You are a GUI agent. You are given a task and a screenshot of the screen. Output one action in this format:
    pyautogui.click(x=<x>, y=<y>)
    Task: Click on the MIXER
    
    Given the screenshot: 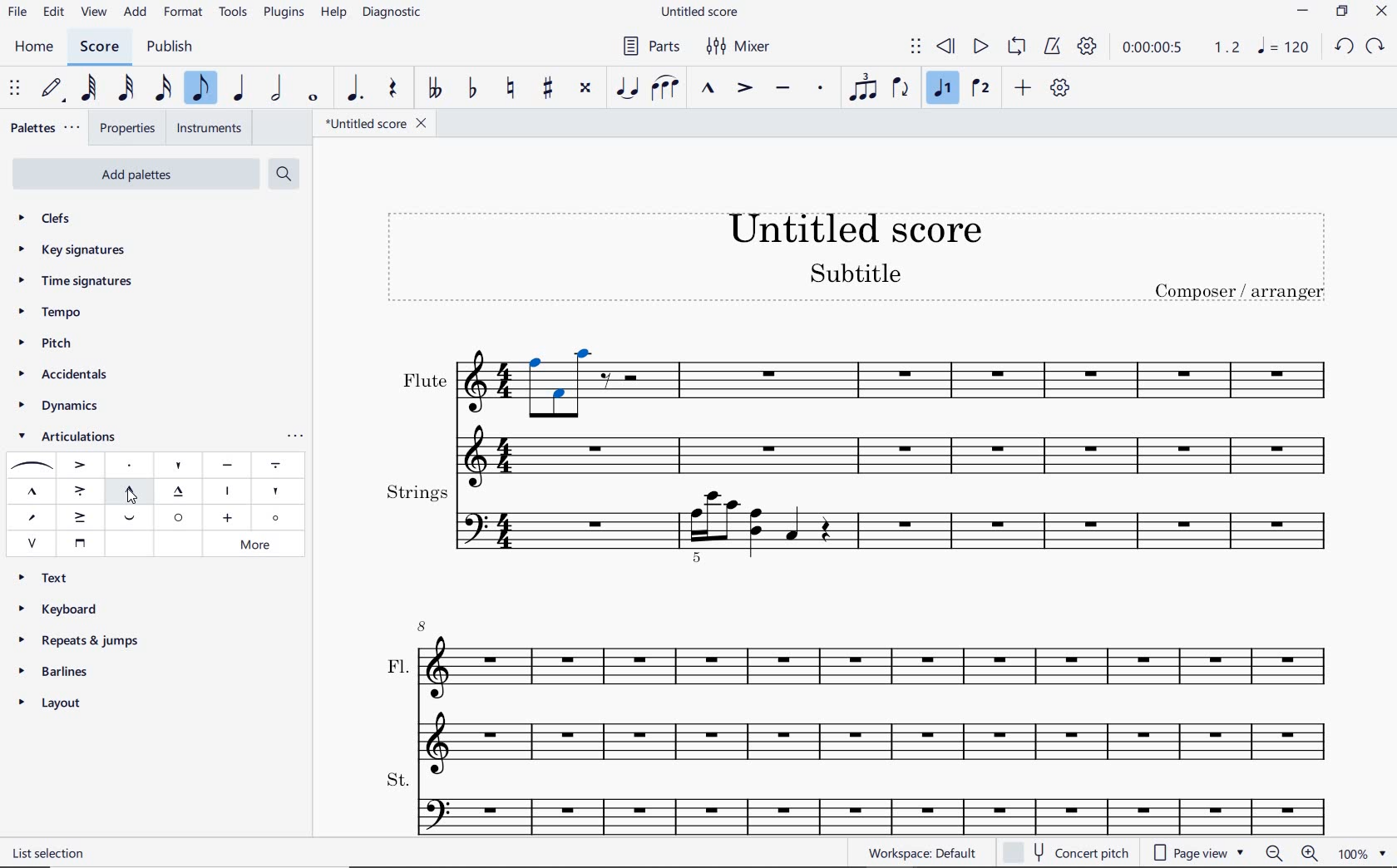 What is the action you would take?
    pyautogui.click(x=736, y=47)
    